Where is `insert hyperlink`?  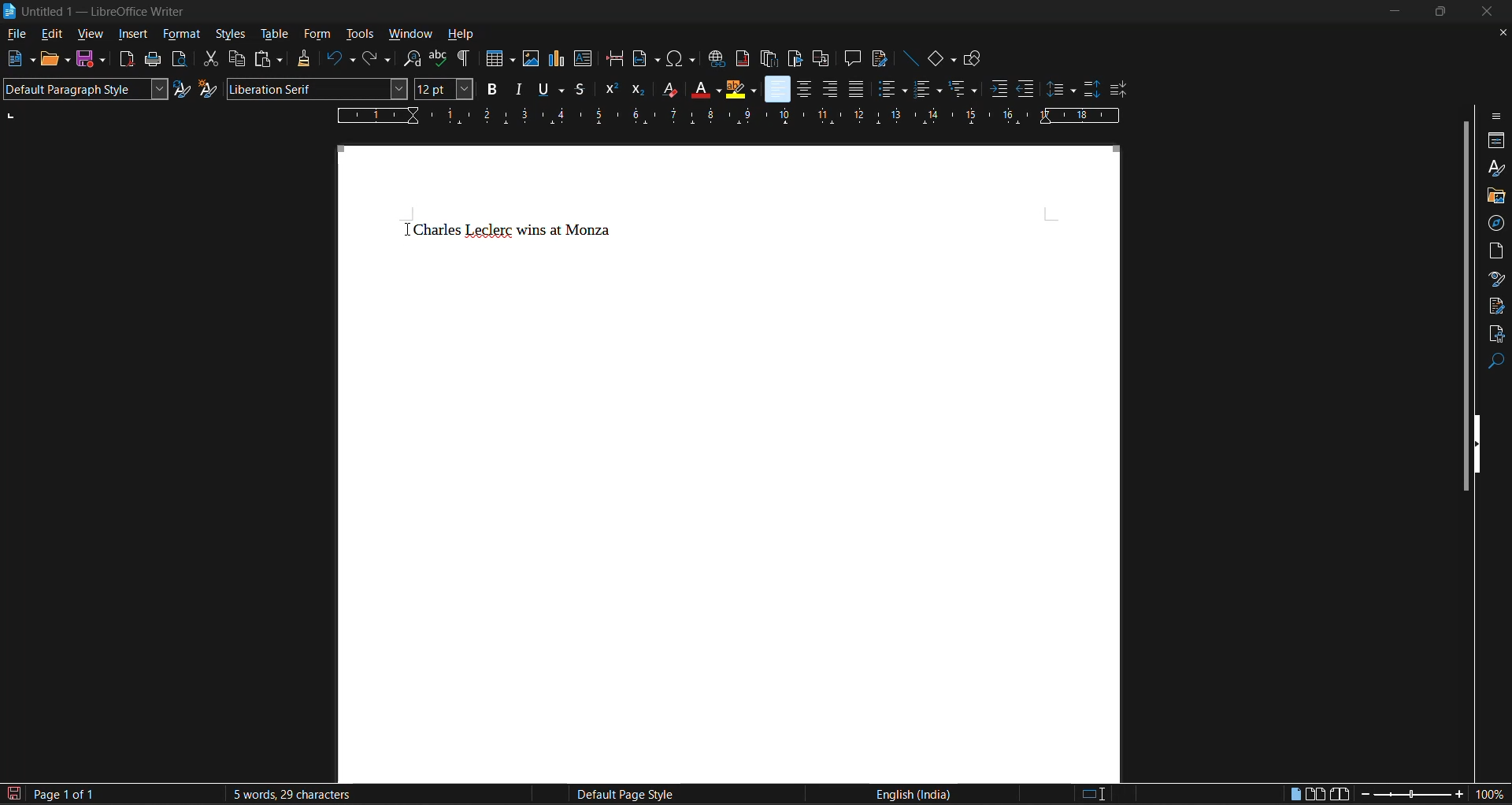 insert hyperlink is located at coordinates (717, 61).